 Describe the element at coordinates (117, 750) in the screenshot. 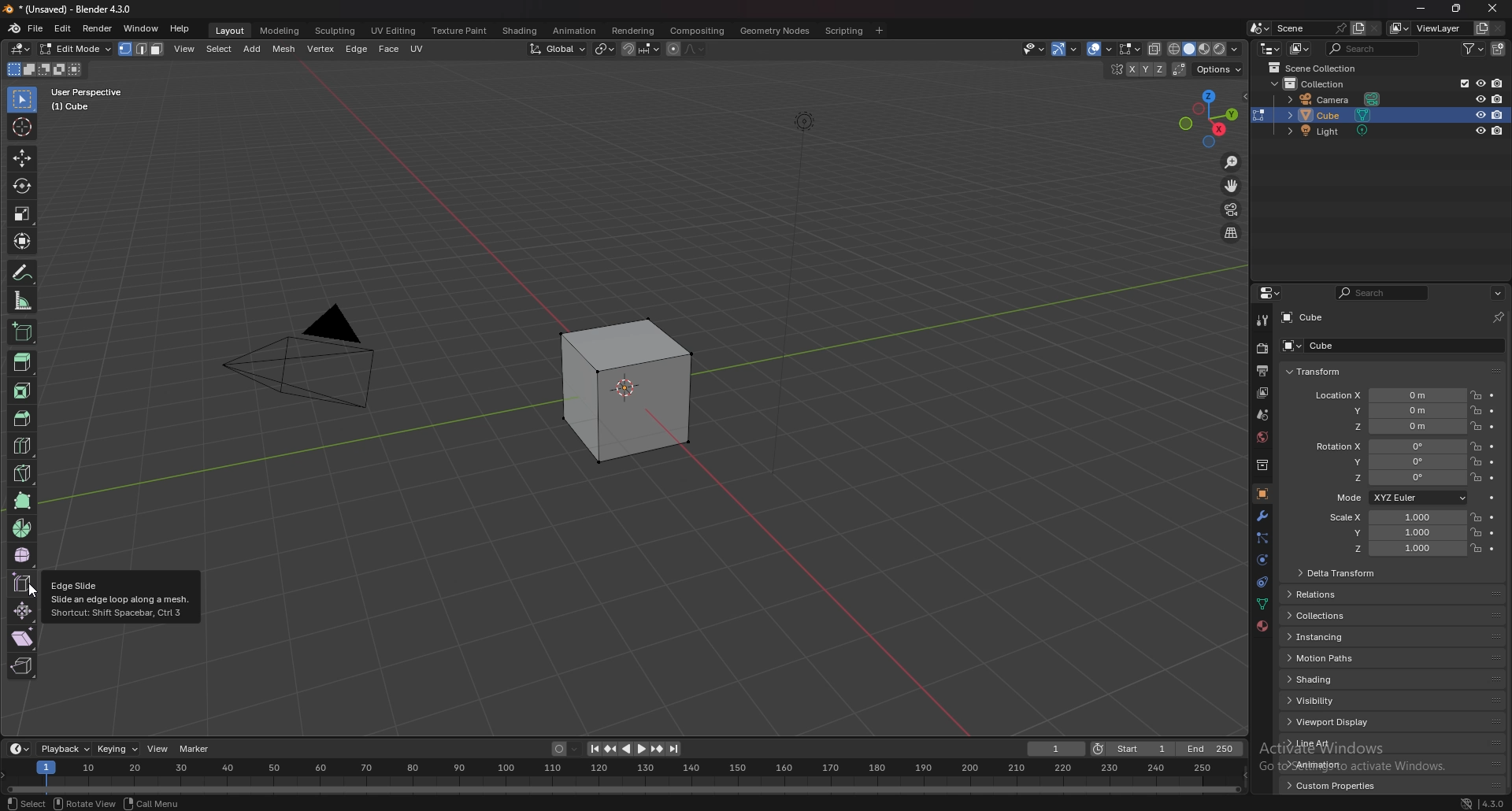

I see `keying` at that location.